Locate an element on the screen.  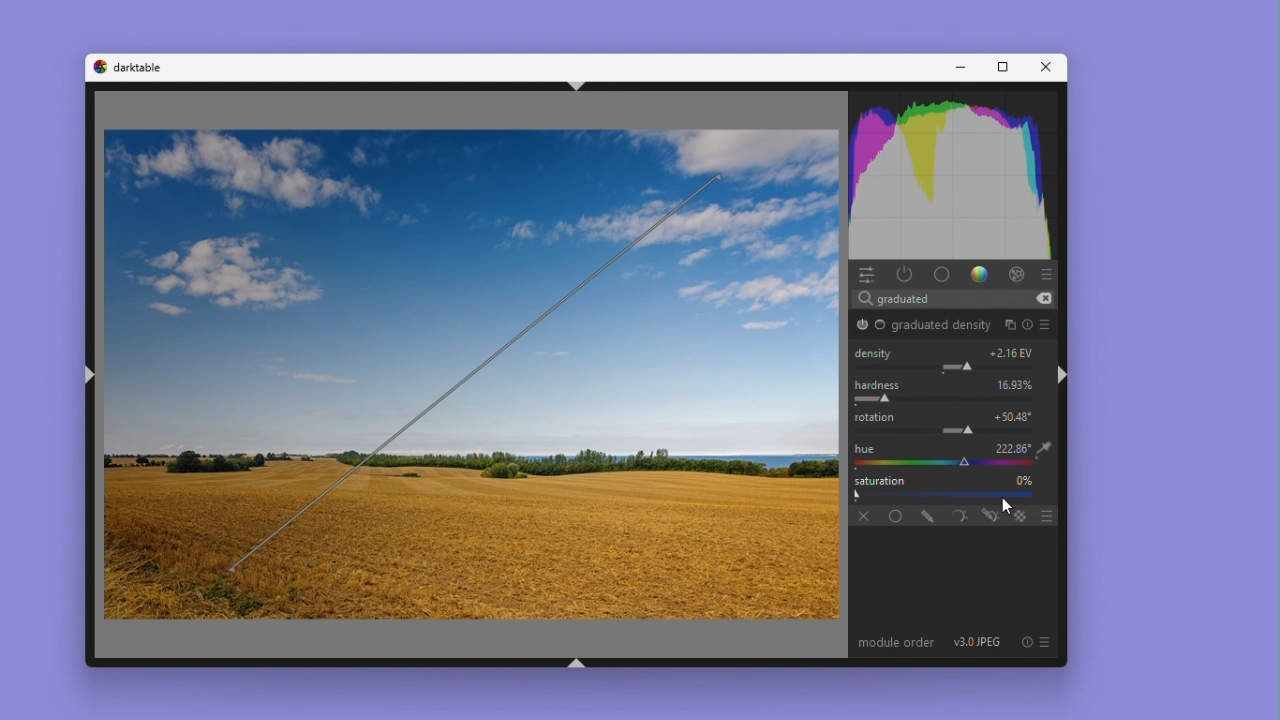
Search bar is located at coordinates (958, 297).